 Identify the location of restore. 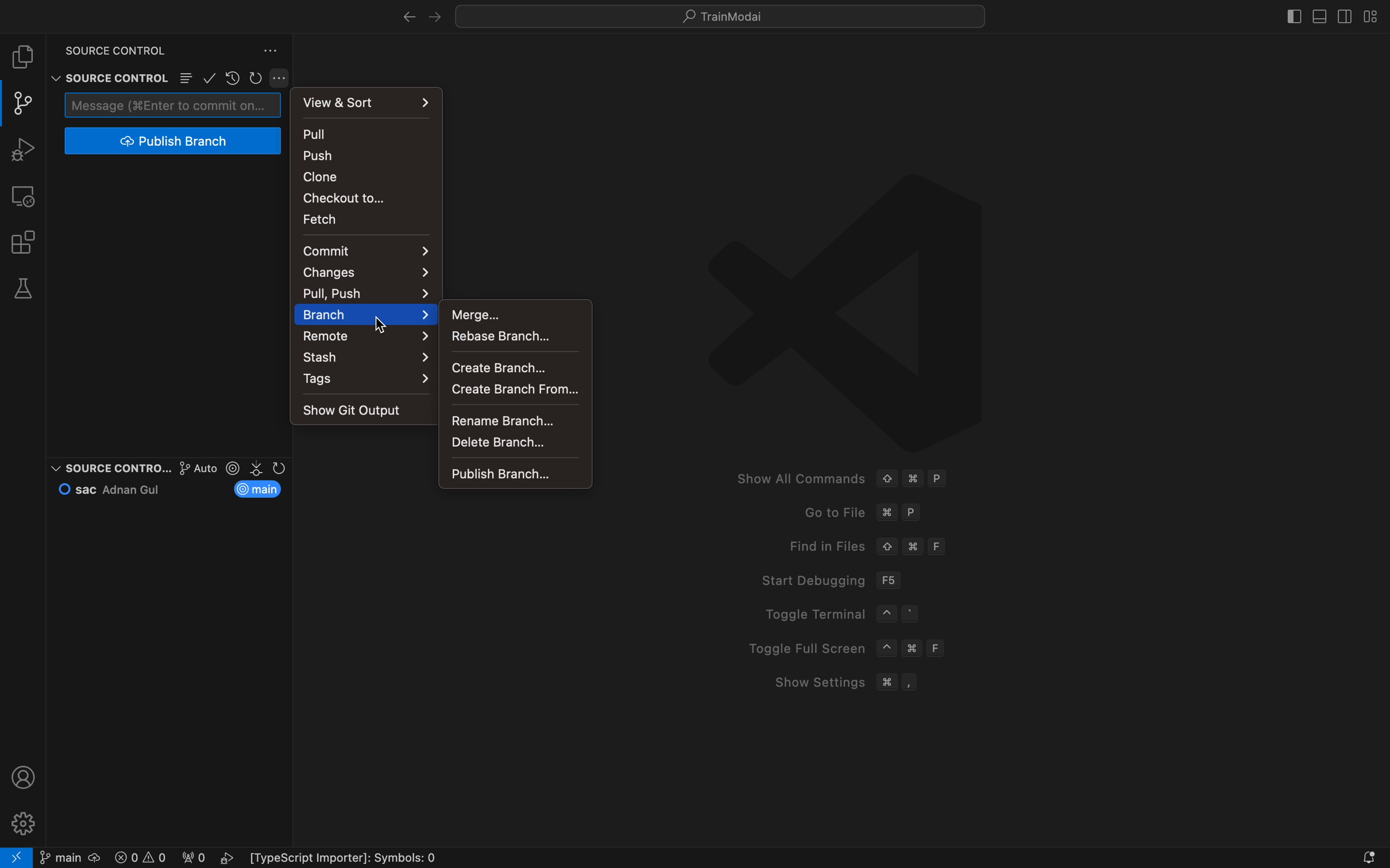
(232, 77).